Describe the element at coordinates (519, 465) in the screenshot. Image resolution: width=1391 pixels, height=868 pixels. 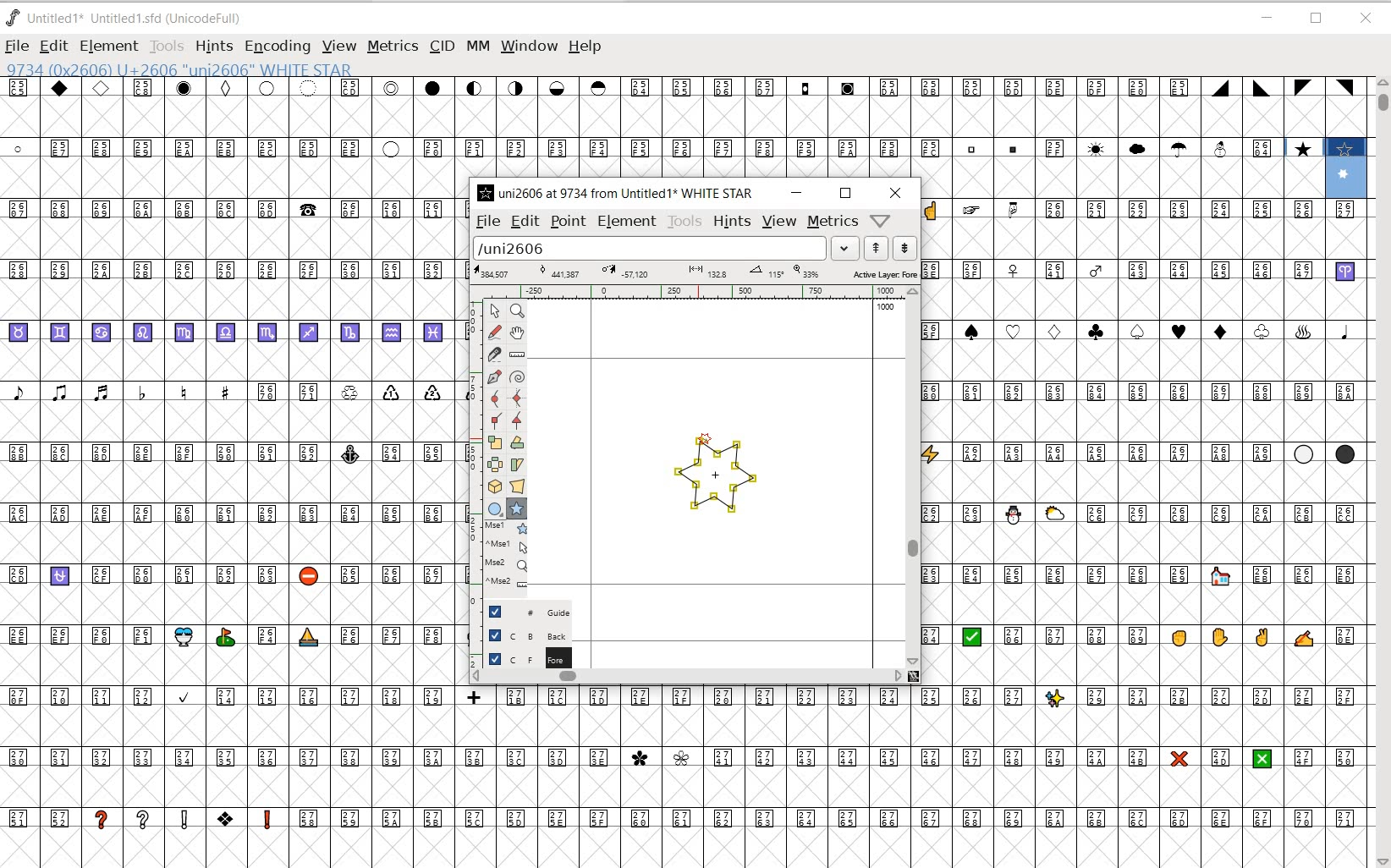
I see `SKEW THE SELECTION` at that location.